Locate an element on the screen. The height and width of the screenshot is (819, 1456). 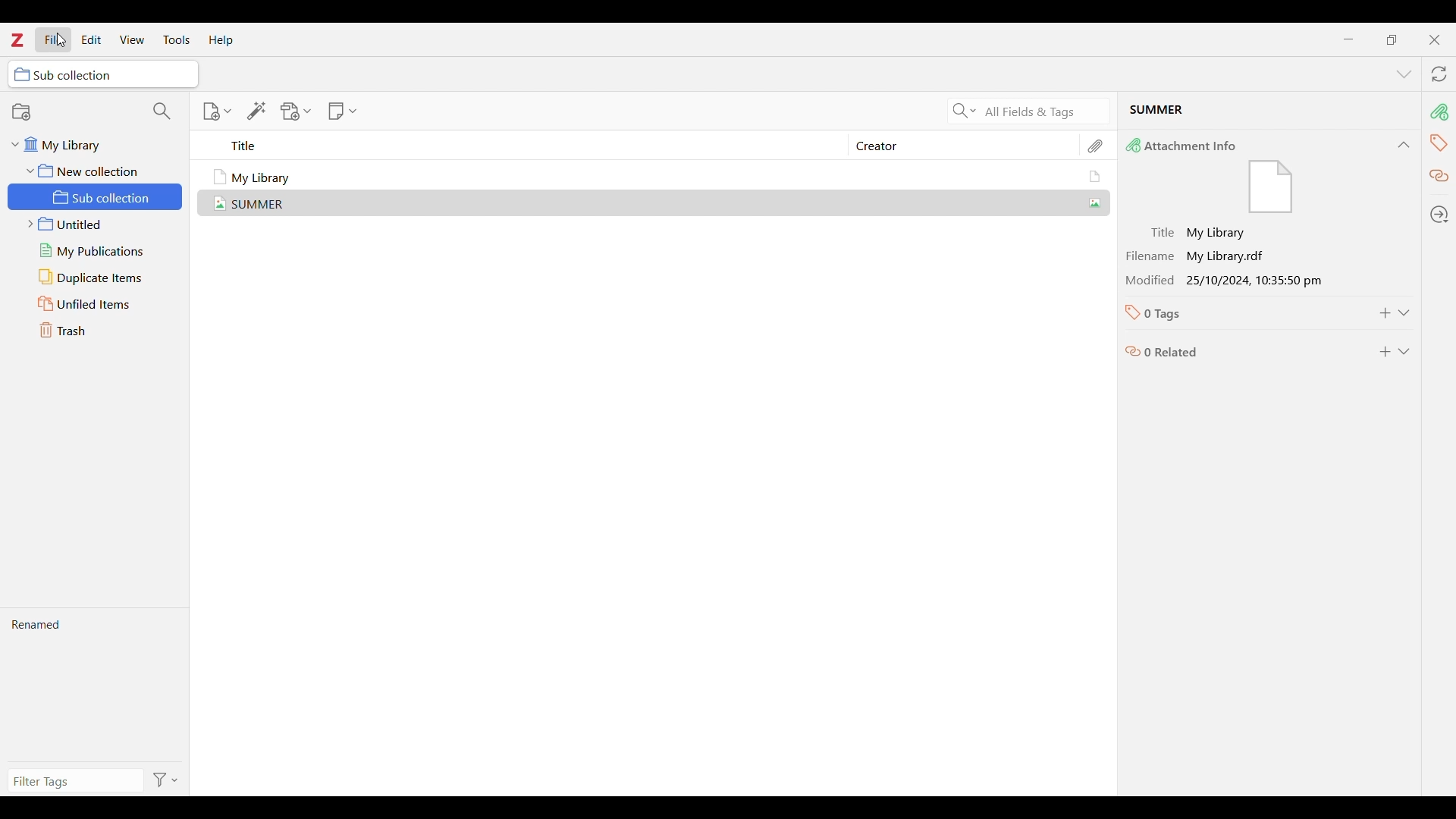
Trash is located at coordinates (97, 331).